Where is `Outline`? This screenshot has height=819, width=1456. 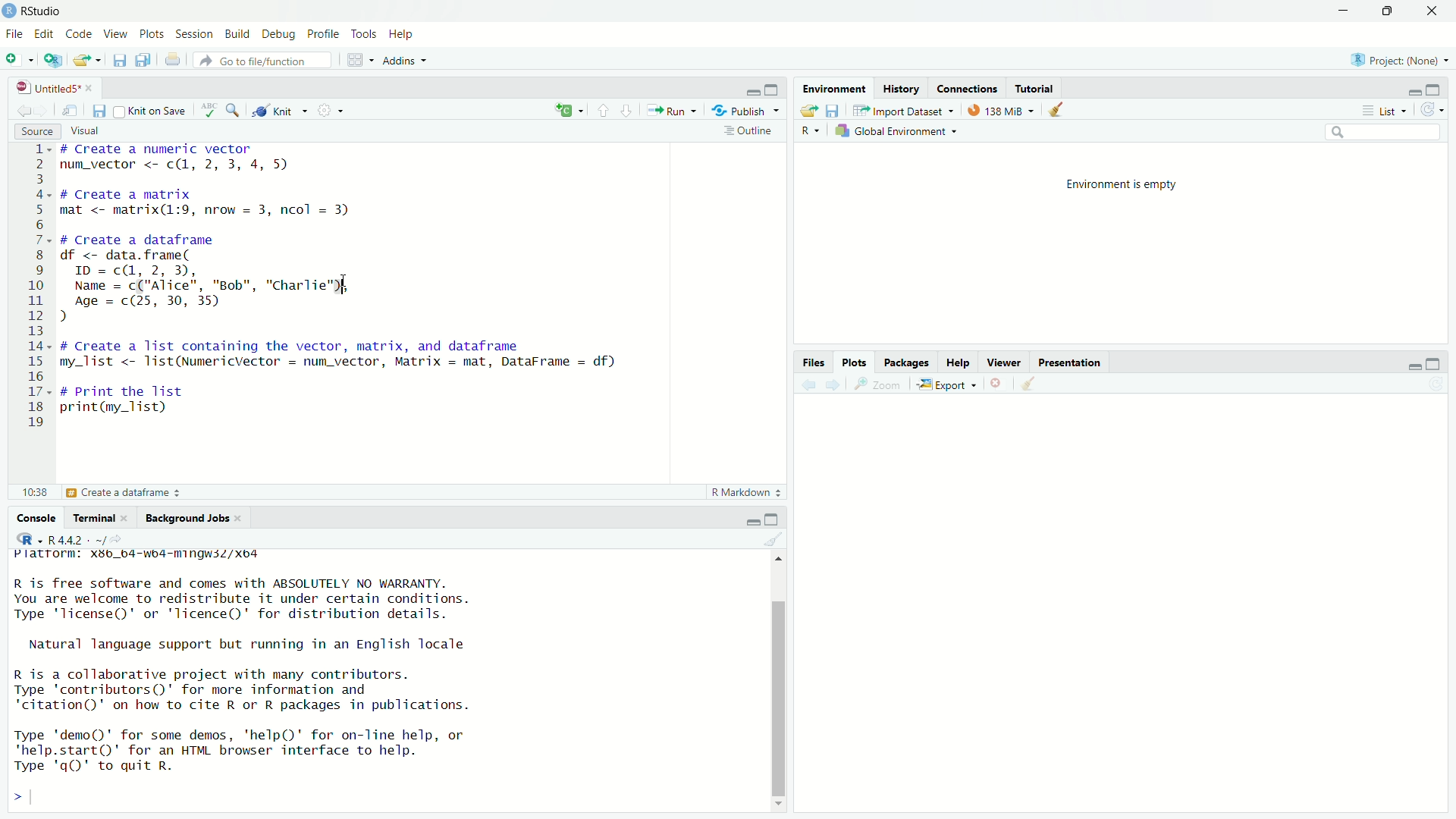 Outline is located at coordinates (749, 133).